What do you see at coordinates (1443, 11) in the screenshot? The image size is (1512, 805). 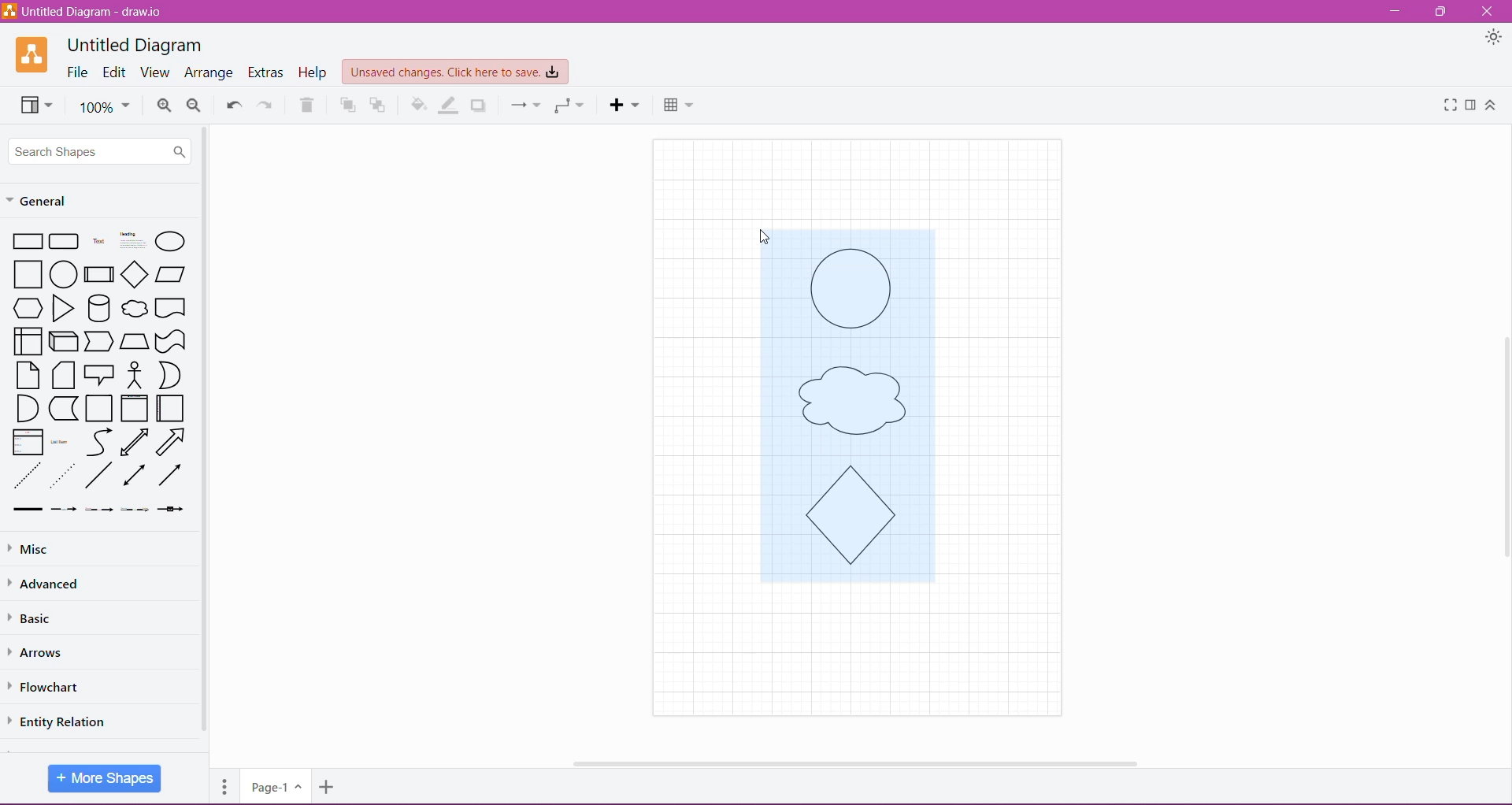 I see `Restore Down` at bounding box center [1443, 11].